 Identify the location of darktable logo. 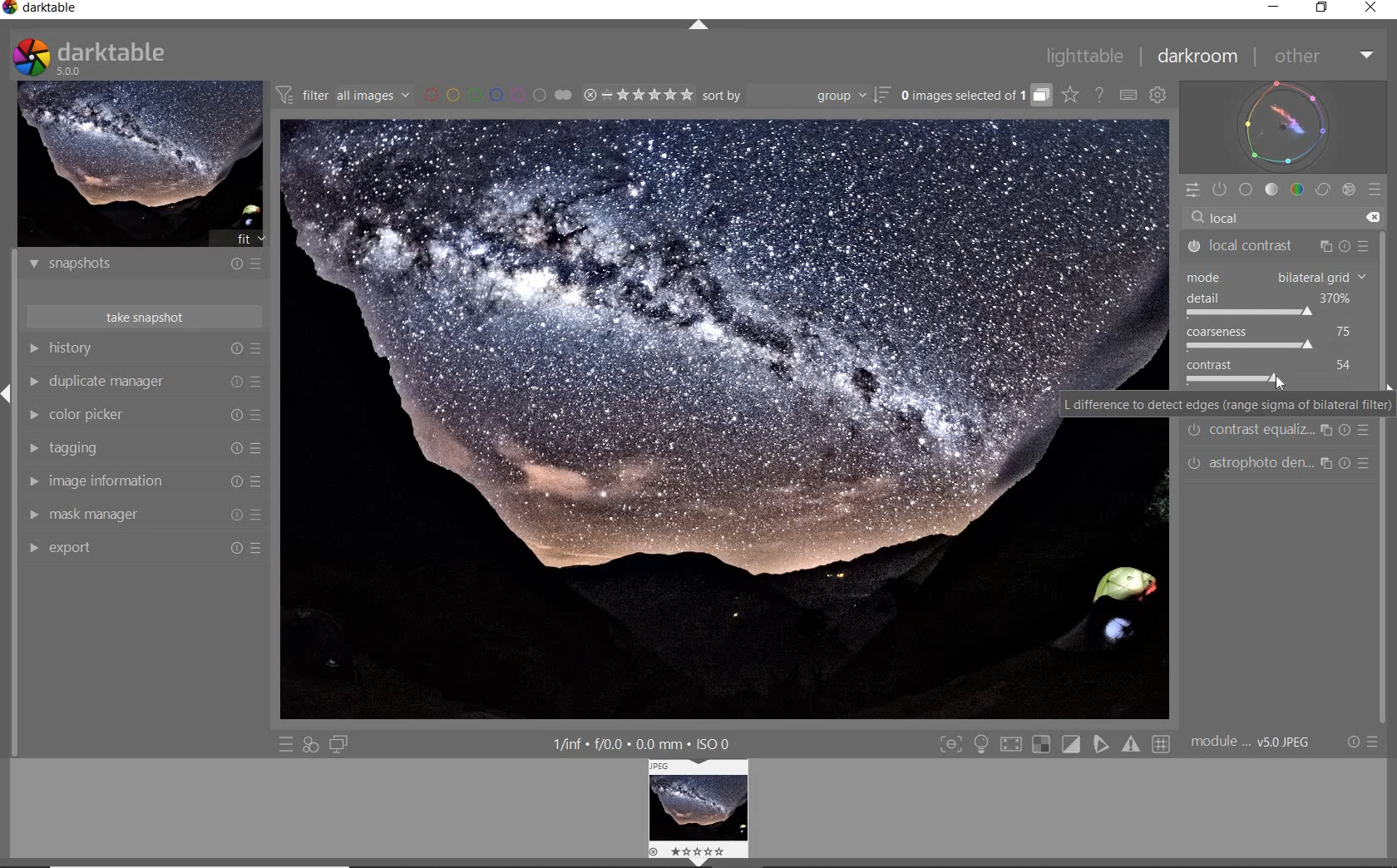
(10, 8).